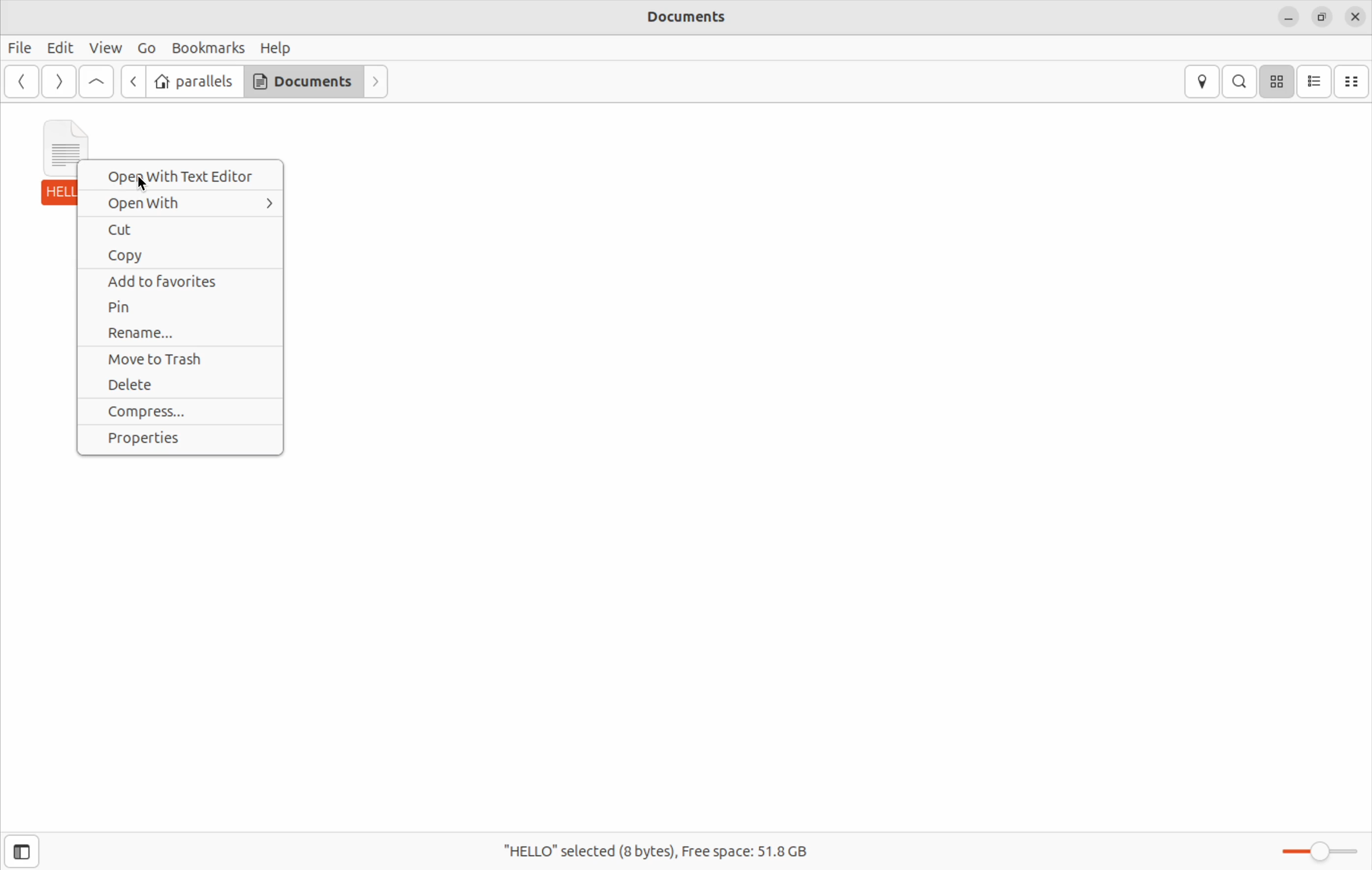 Image resolution: width=1372 pixels, height=870 pixels. What do you see at coordinates (181, 230) in the screenshot?
I see `Cut` at bounding box center [181, 230].